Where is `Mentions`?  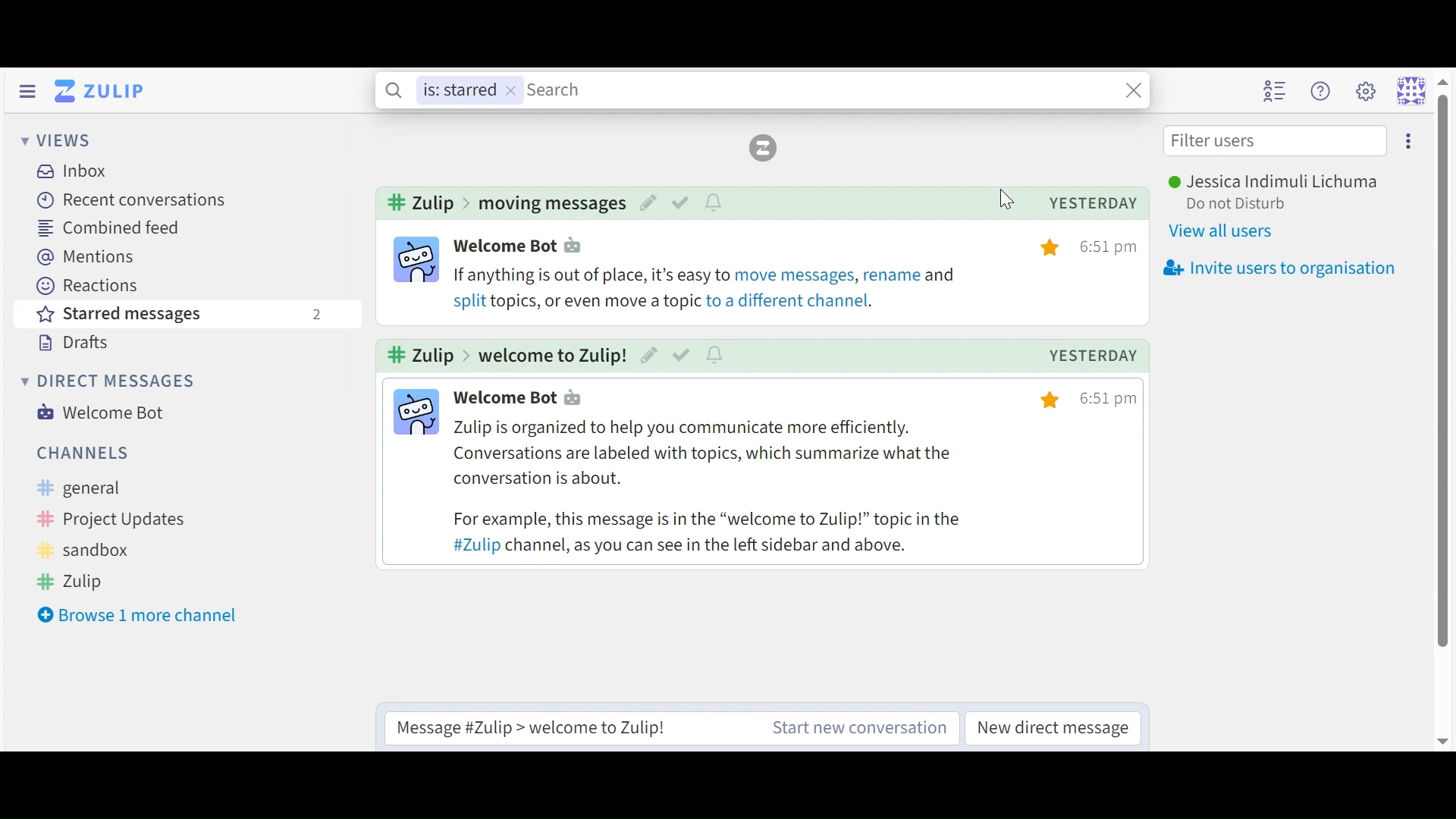
Mentions is located at coordinates (83, 257).